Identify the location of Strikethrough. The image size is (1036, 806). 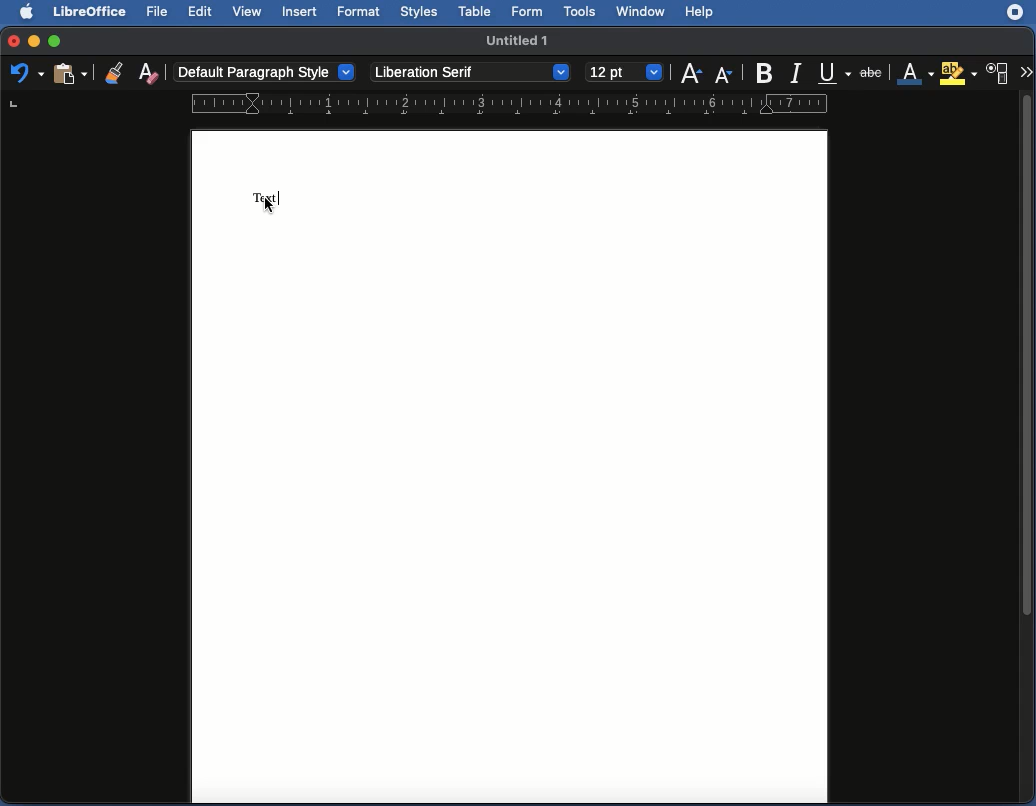
(872, 72).